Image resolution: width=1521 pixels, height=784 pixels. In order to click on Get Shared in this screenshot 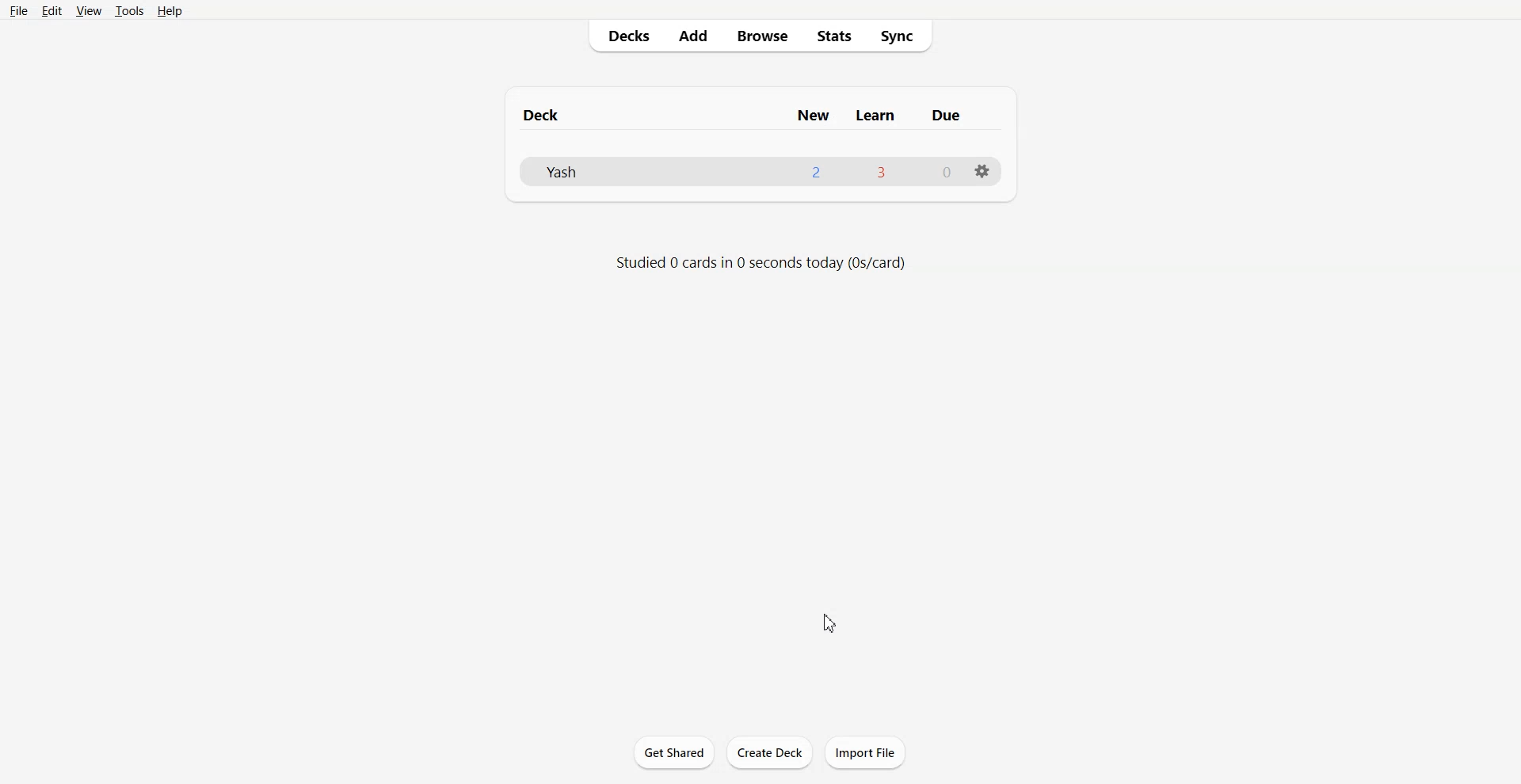, I will do `click(674, 752)`.